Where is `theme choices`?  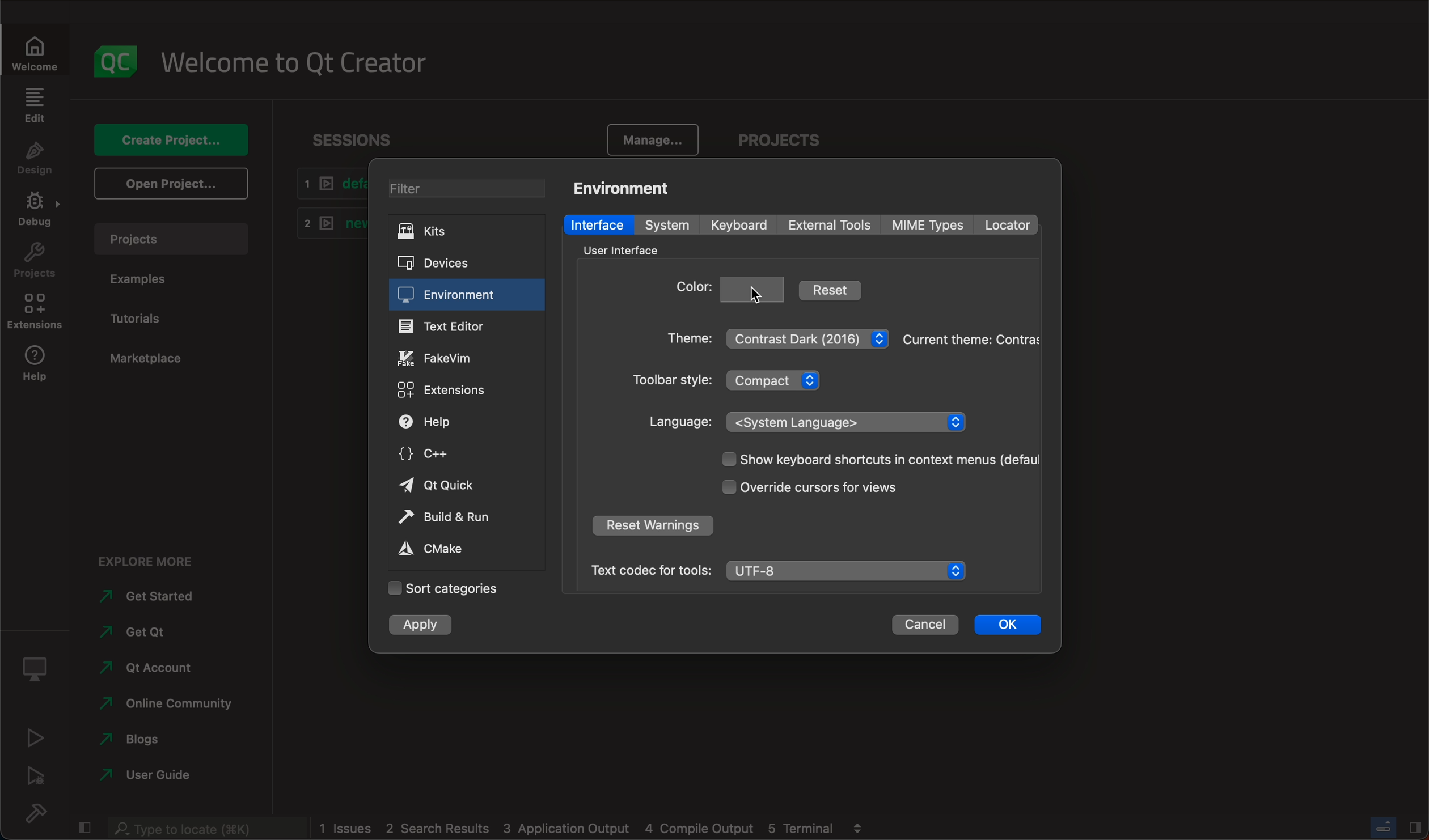
theme choices is located at coordinates (808, 336).